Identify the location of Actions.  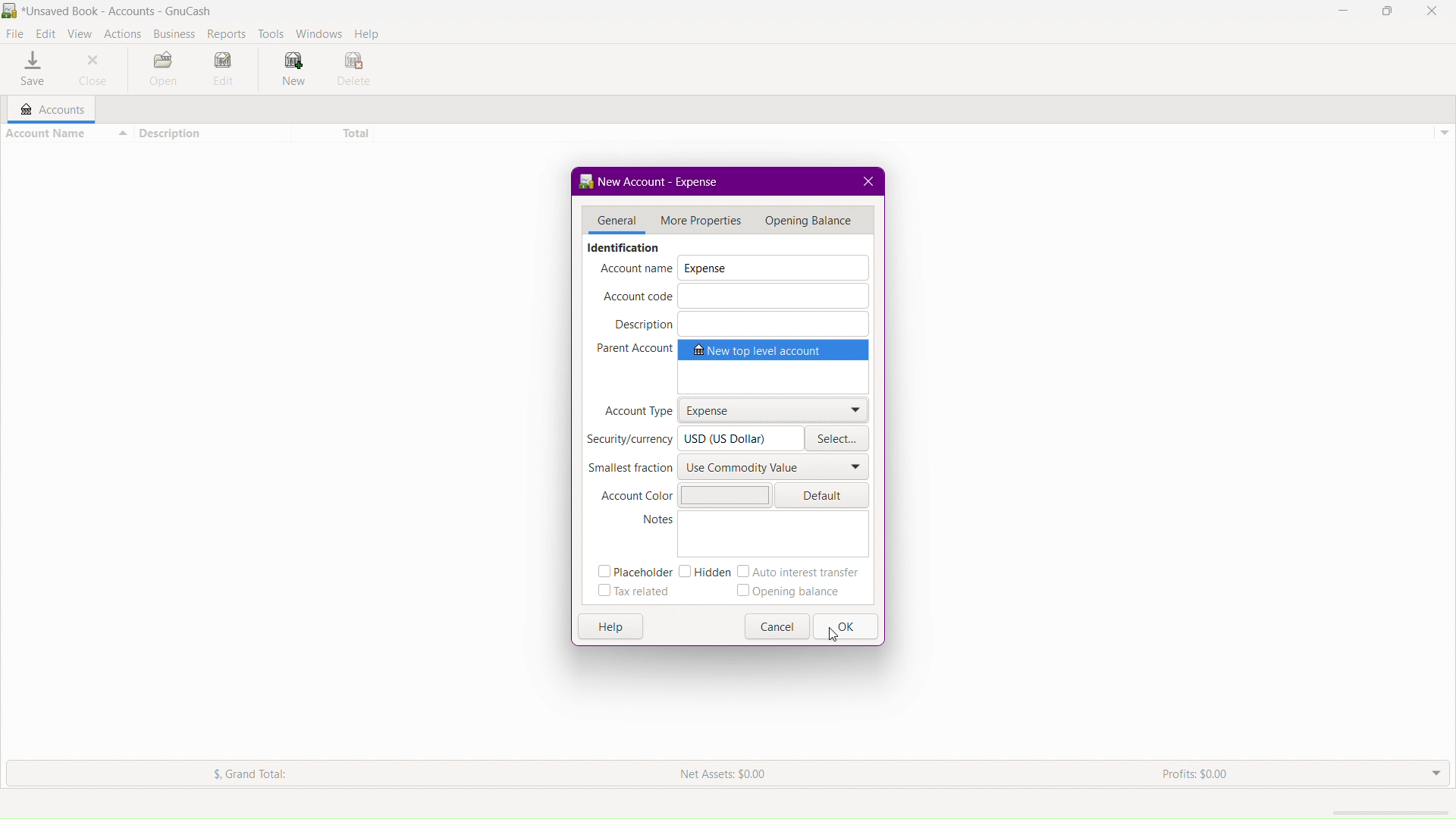
(122, 32).